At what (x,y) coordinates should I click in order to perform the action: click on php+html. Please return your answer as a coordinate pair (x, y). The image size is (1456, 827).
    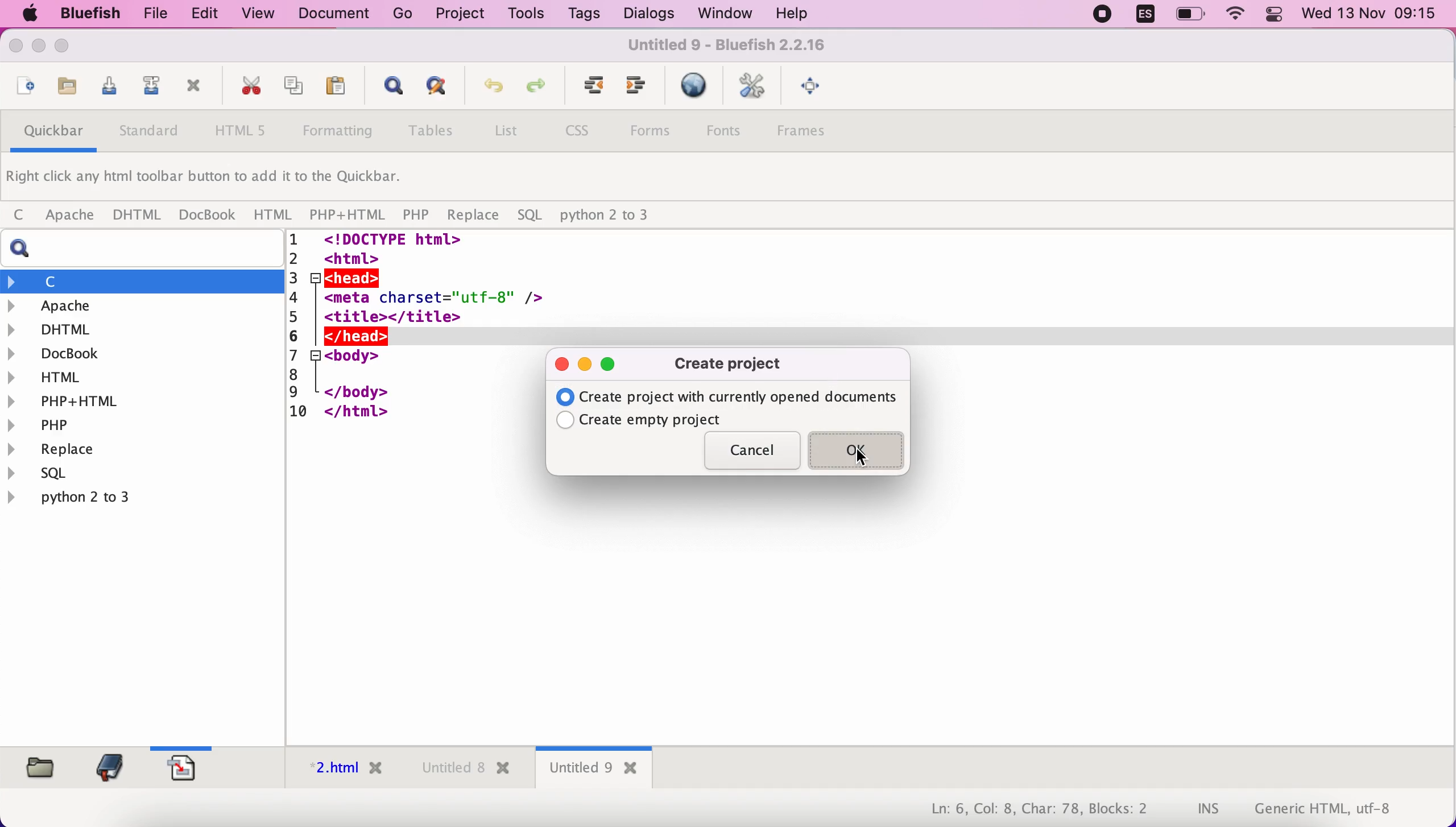
    Looking at the image, I should click on (347, 215).